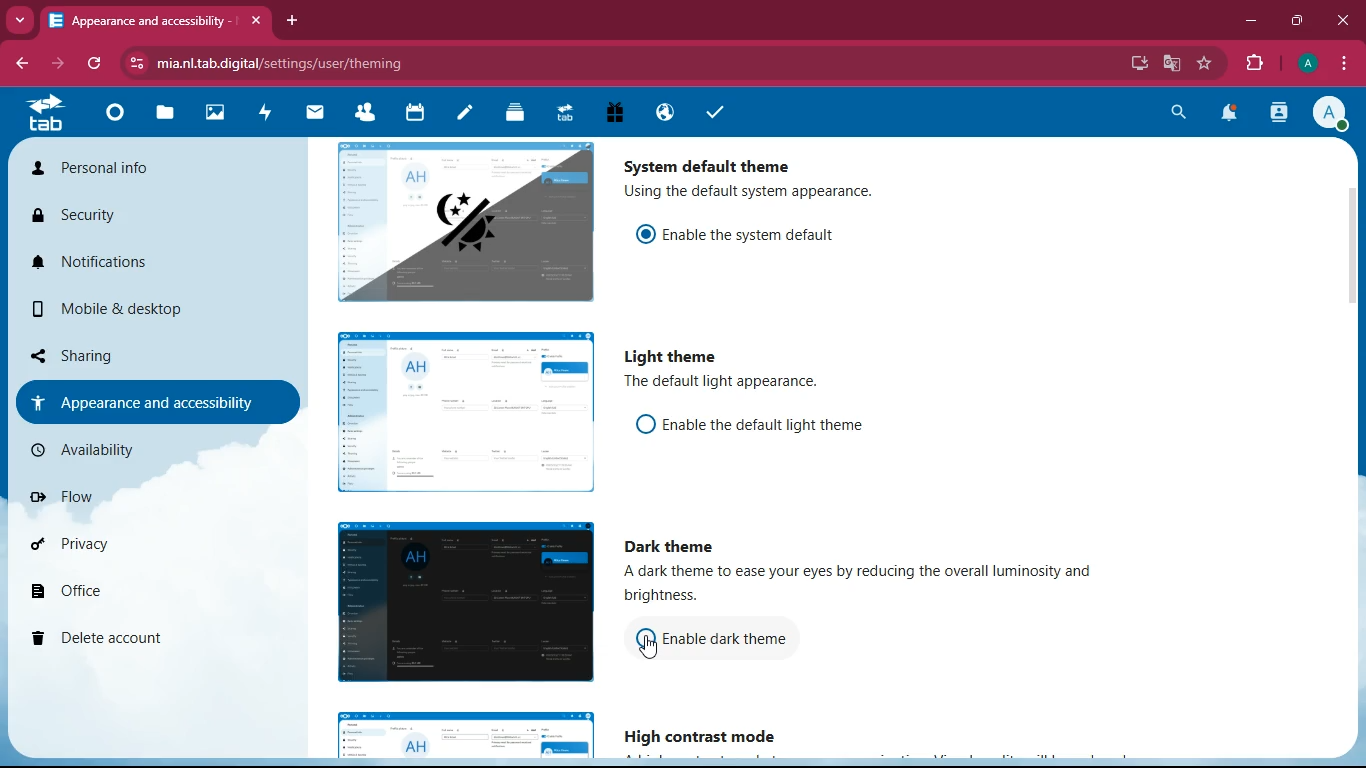 This screenshot has height=768, width=1366. I want to click on sharing, so click(132, 351).